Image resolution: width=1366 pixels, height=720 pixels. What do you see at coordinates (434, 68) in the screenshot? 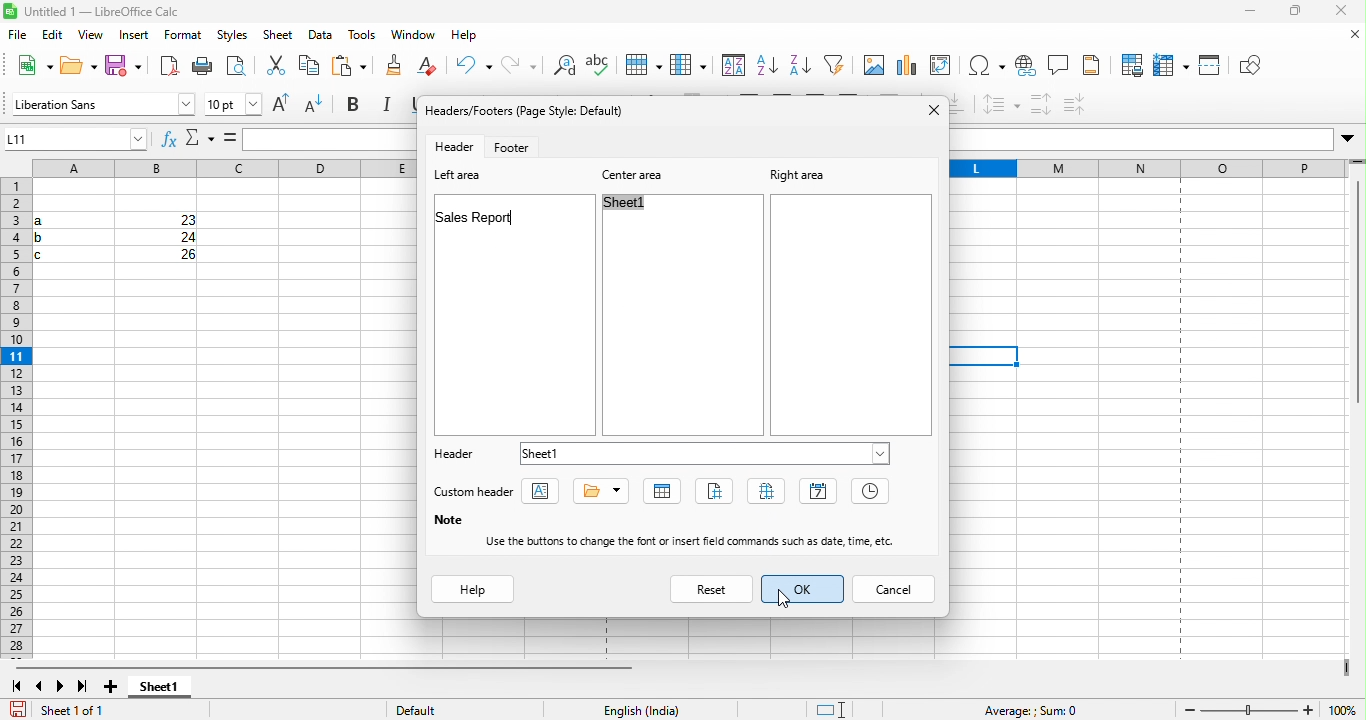
I see `undo` at bounding box center [434, 68].